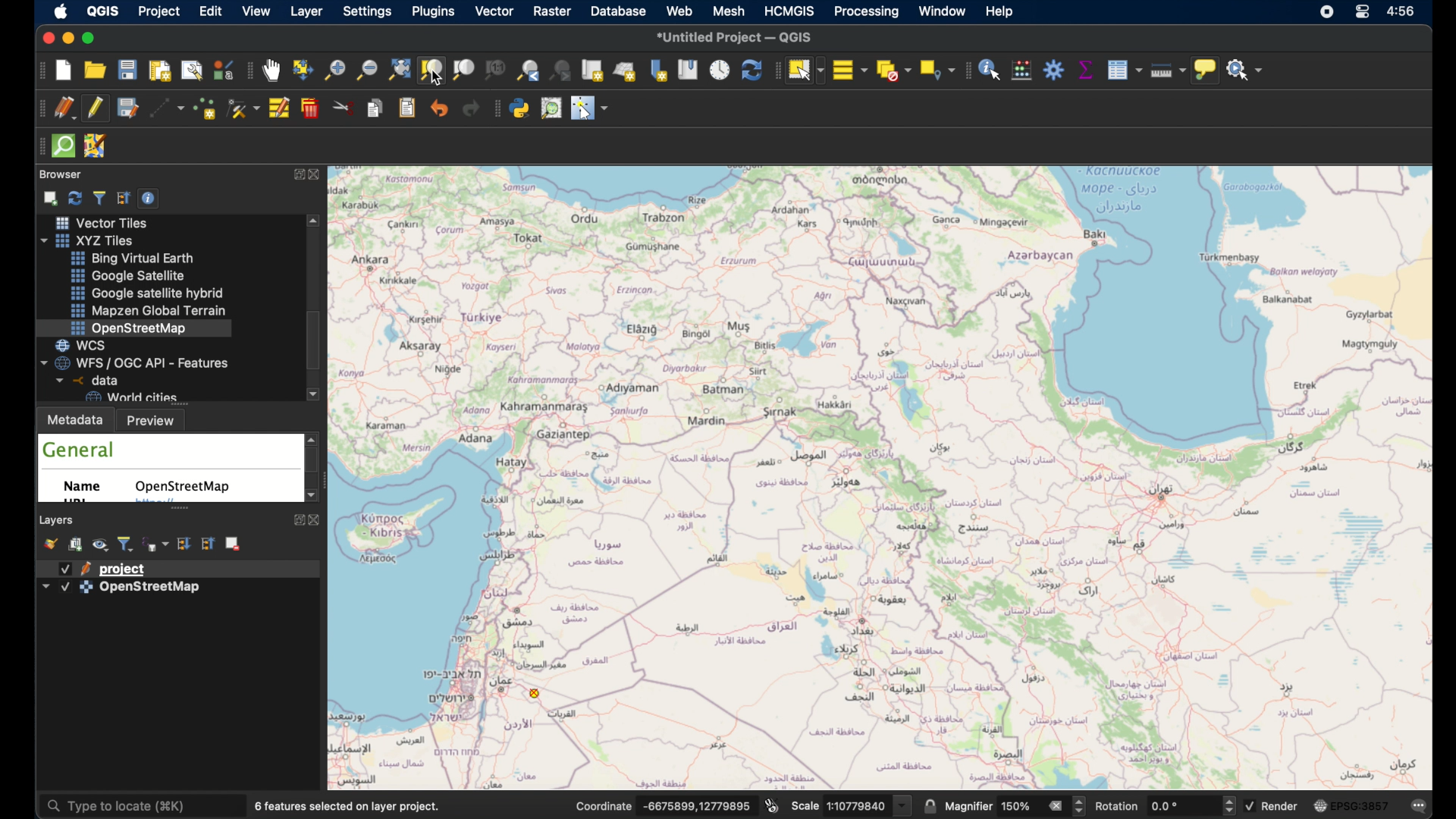  I want to click on dropdown, so click(903, 805).